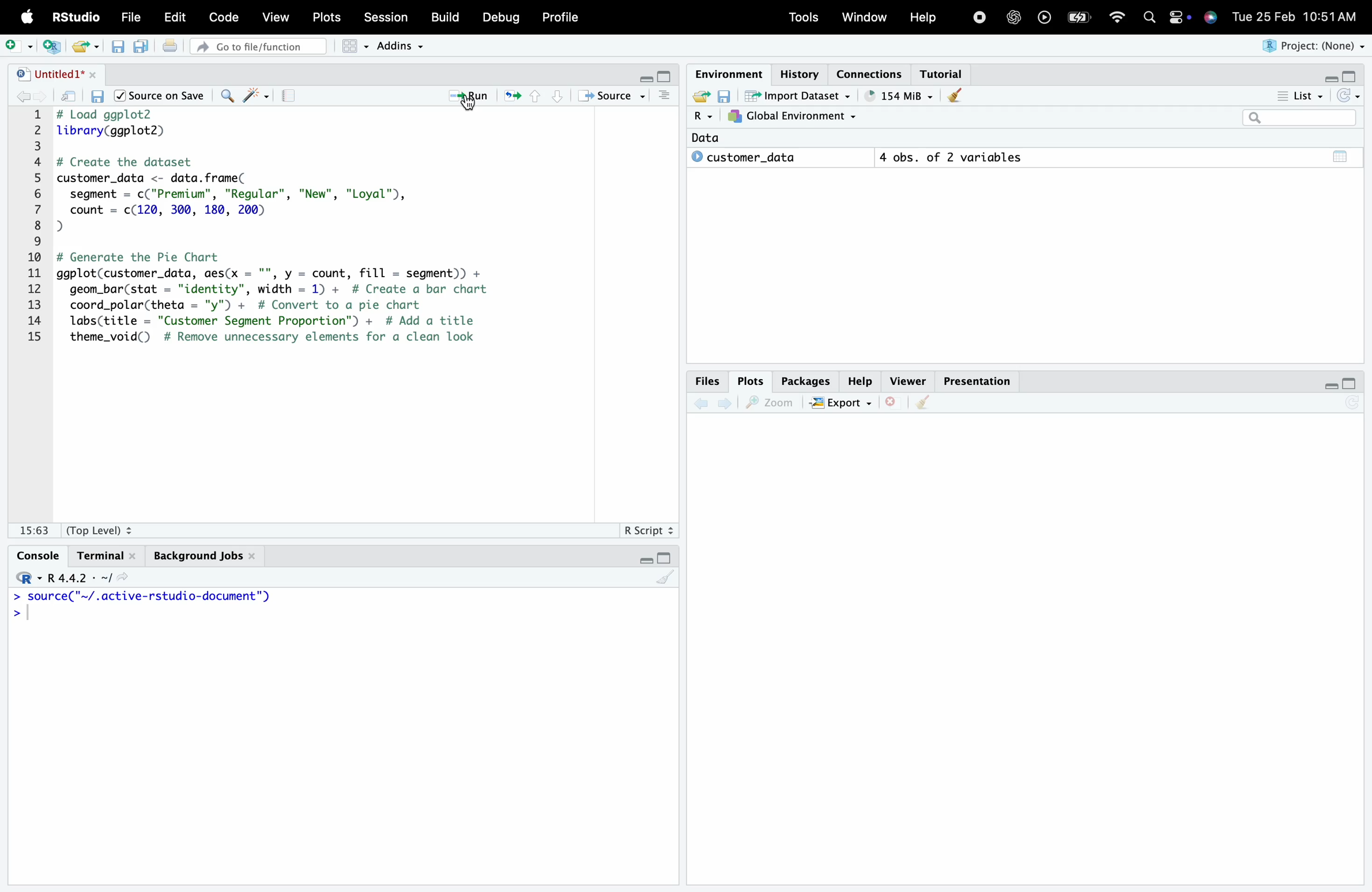 This screenshot has width=1372, height=892. I want to click on zoom, so click(773, 403).